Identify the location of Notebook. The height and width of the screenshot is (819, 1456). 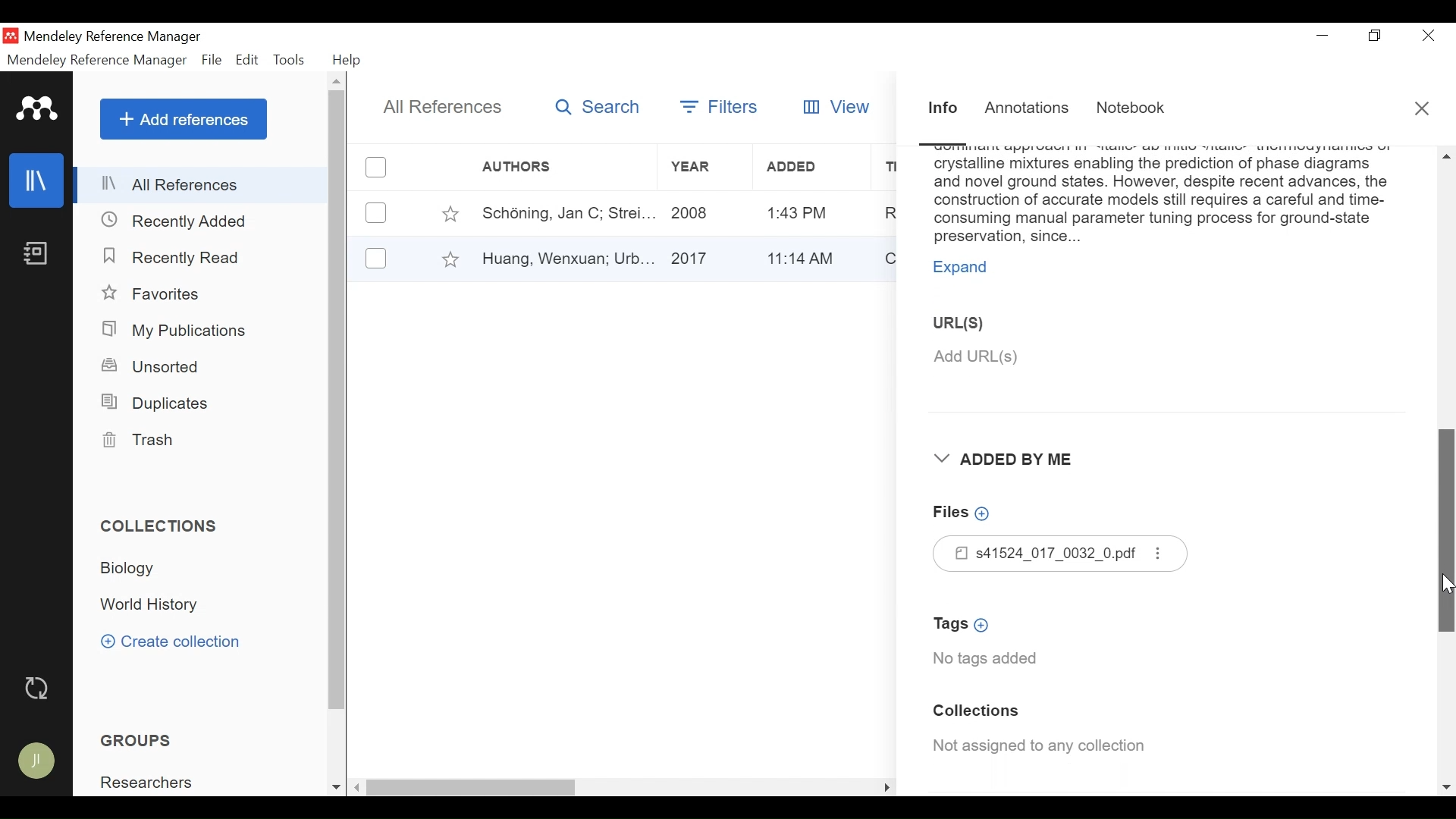
(36, 253).